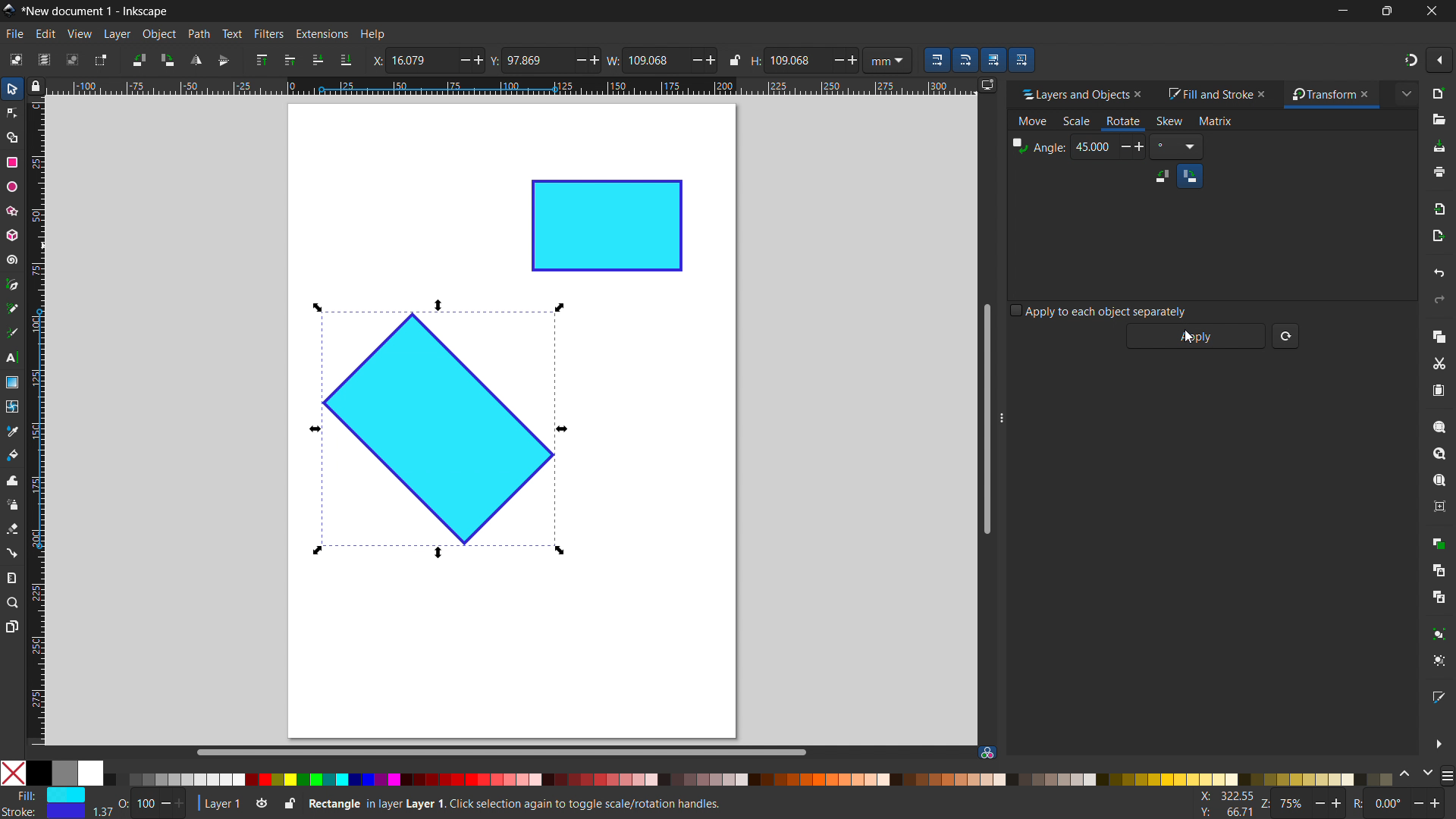 The image size is (1456, 819). What do you see at coordinates (218, 804) in the screenshot?
I see `current layer` at bounding box center [218, 804].